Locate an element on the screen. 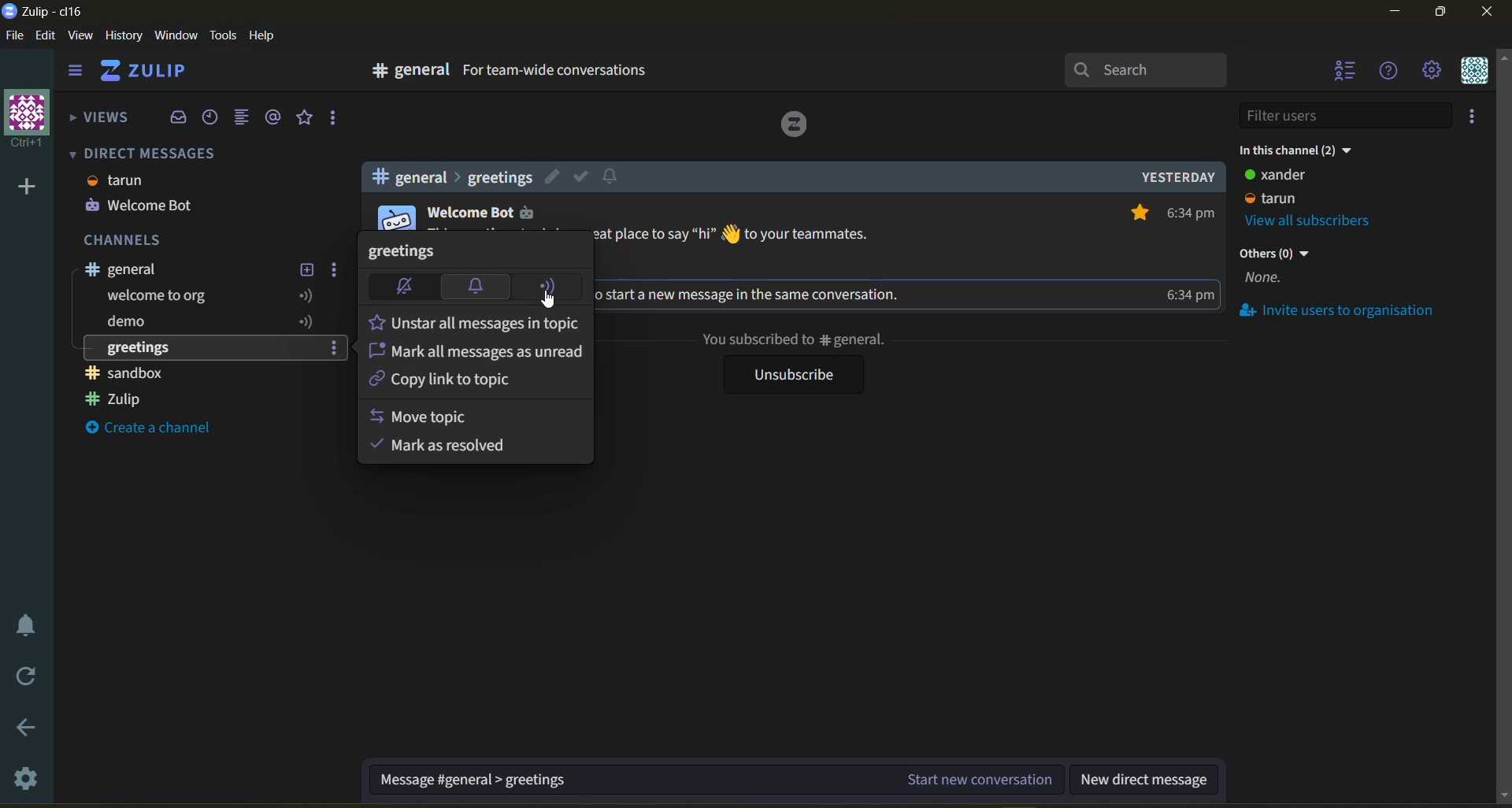 The height and width of the screenshot is (808, 1512). stream title/channel is located at coordinates (187, 269).